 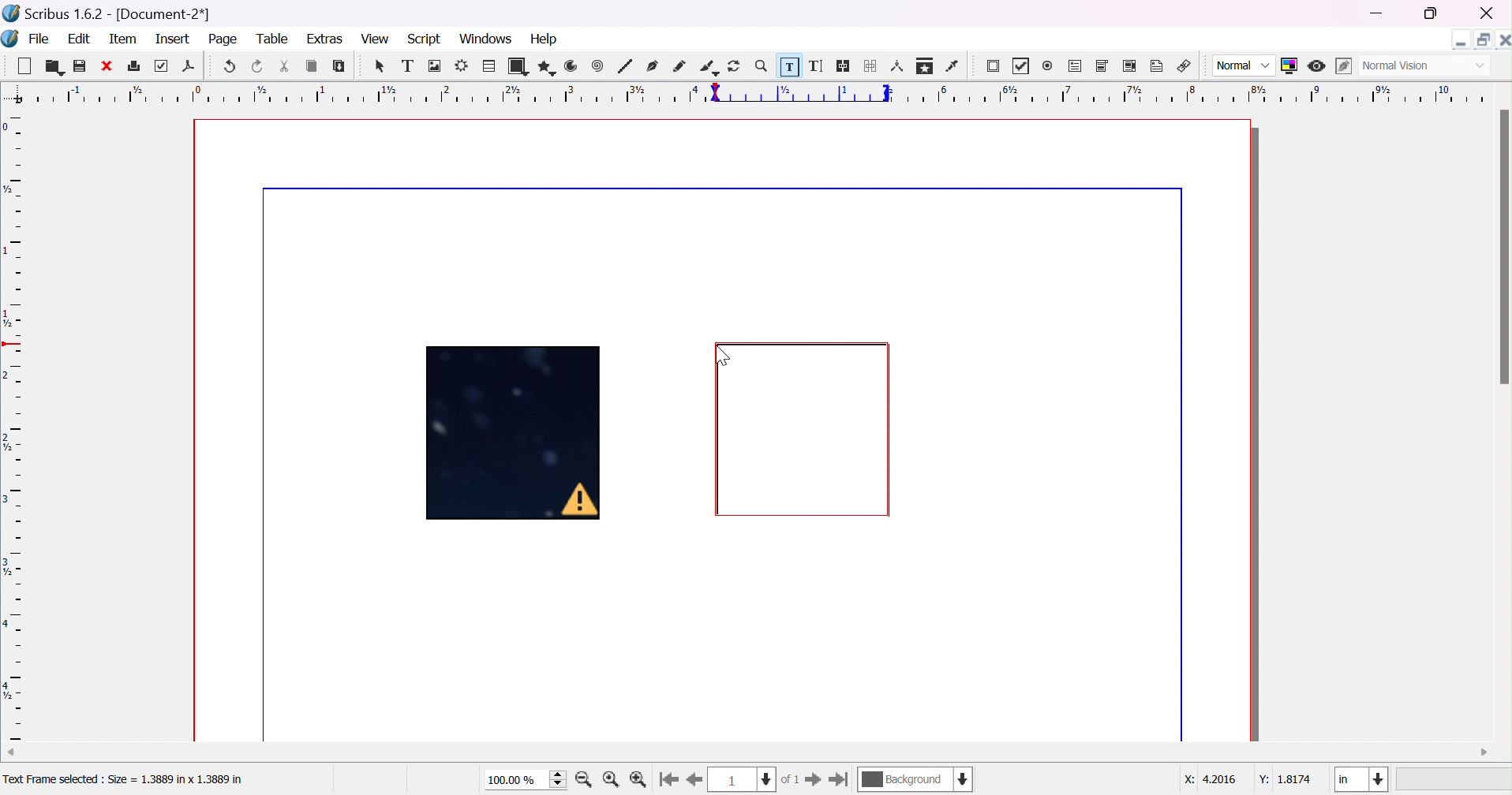 What do you see at coordinates (339, 65) in the screenshot?
I see `paste` at bounding box center [339, 65].